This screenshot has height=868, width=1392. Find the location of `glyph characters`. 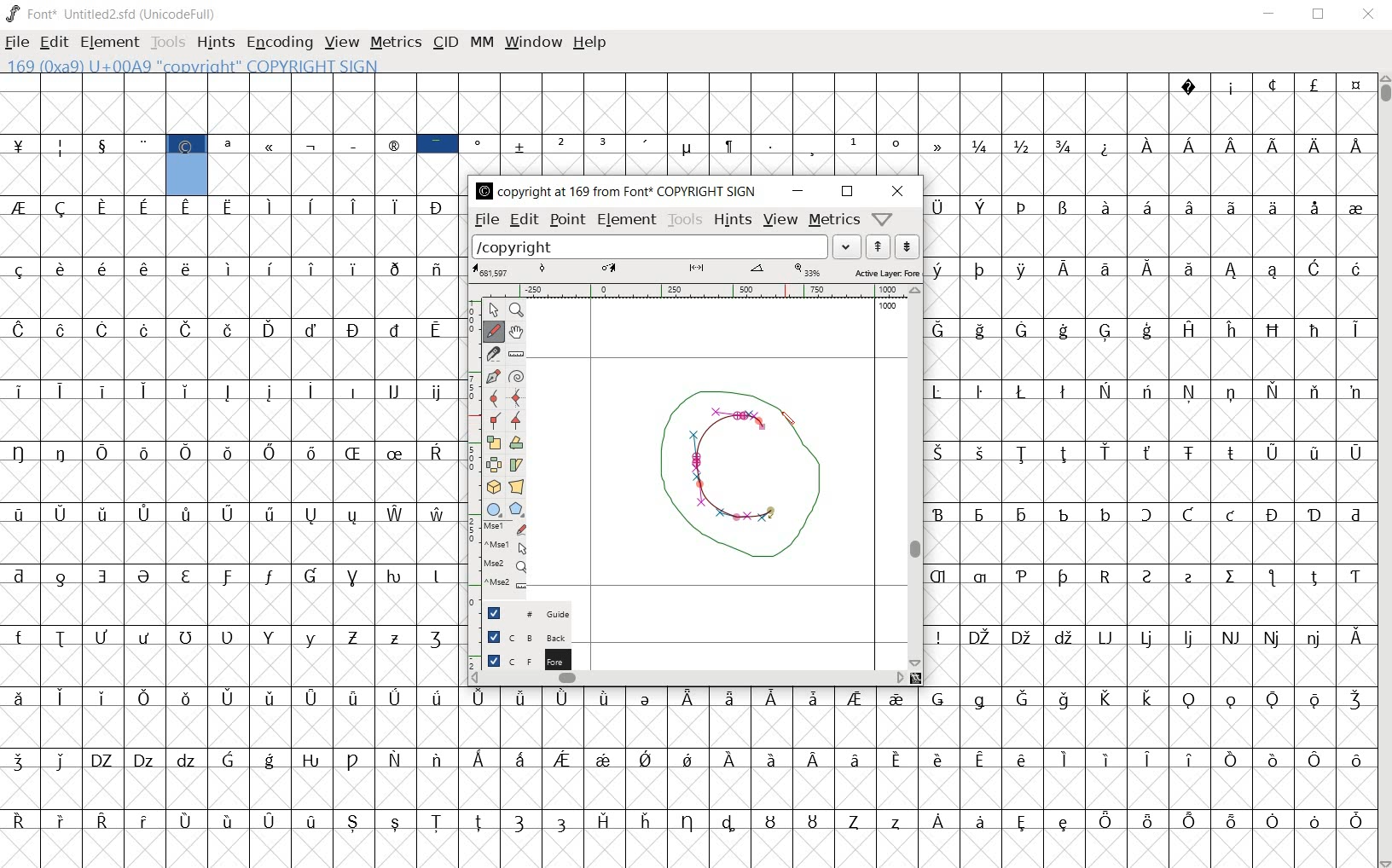

glyph characters is located at coordinates (1150, 438).